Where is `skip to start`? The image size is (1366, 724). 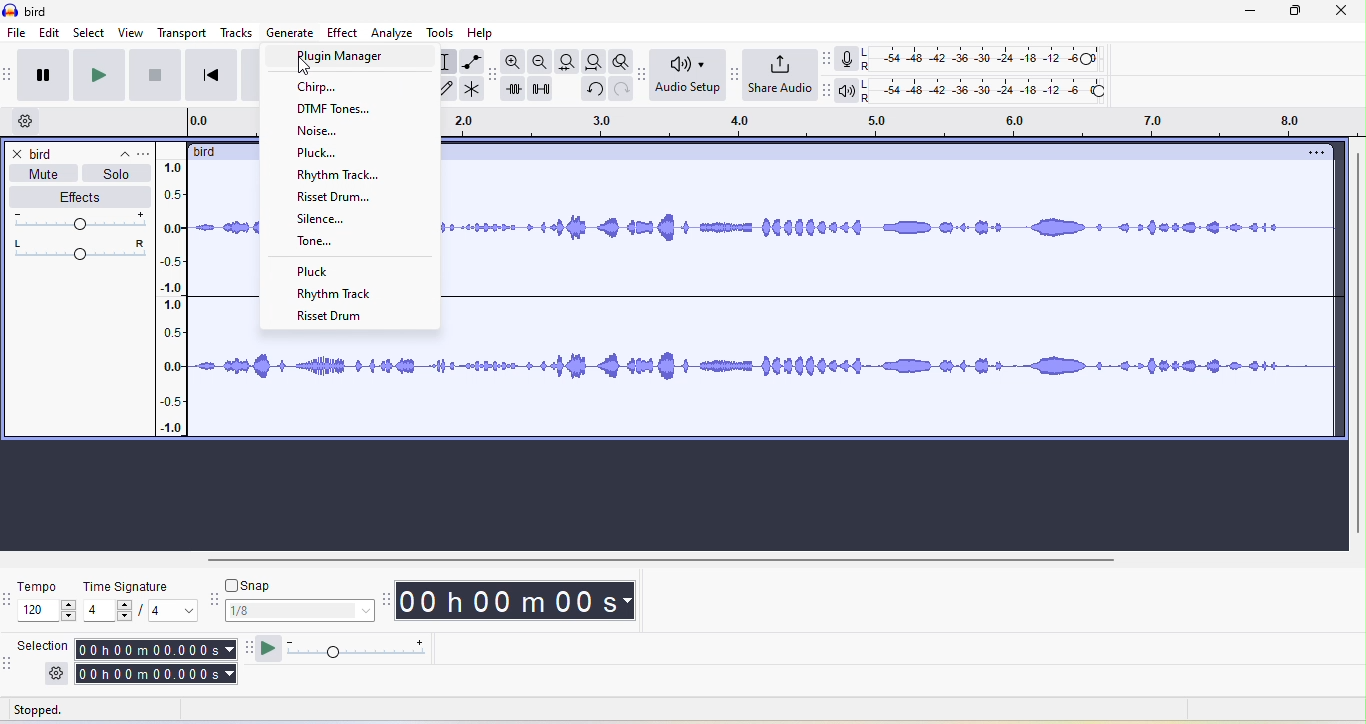
skip to start is located at coordinates (207, 75).